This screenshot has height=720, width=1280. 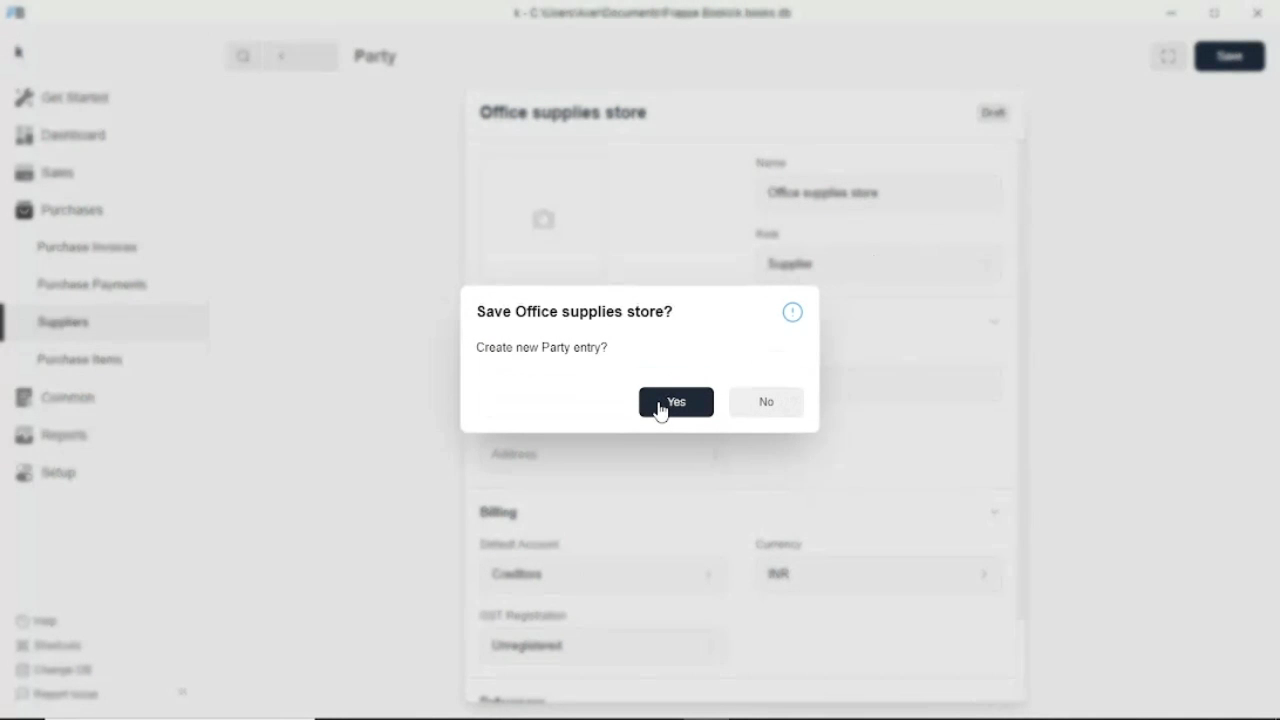 What do you see at coordinates (55, 671) in the screenshot?
I see `Change DB` at bounding box center [55, 671].